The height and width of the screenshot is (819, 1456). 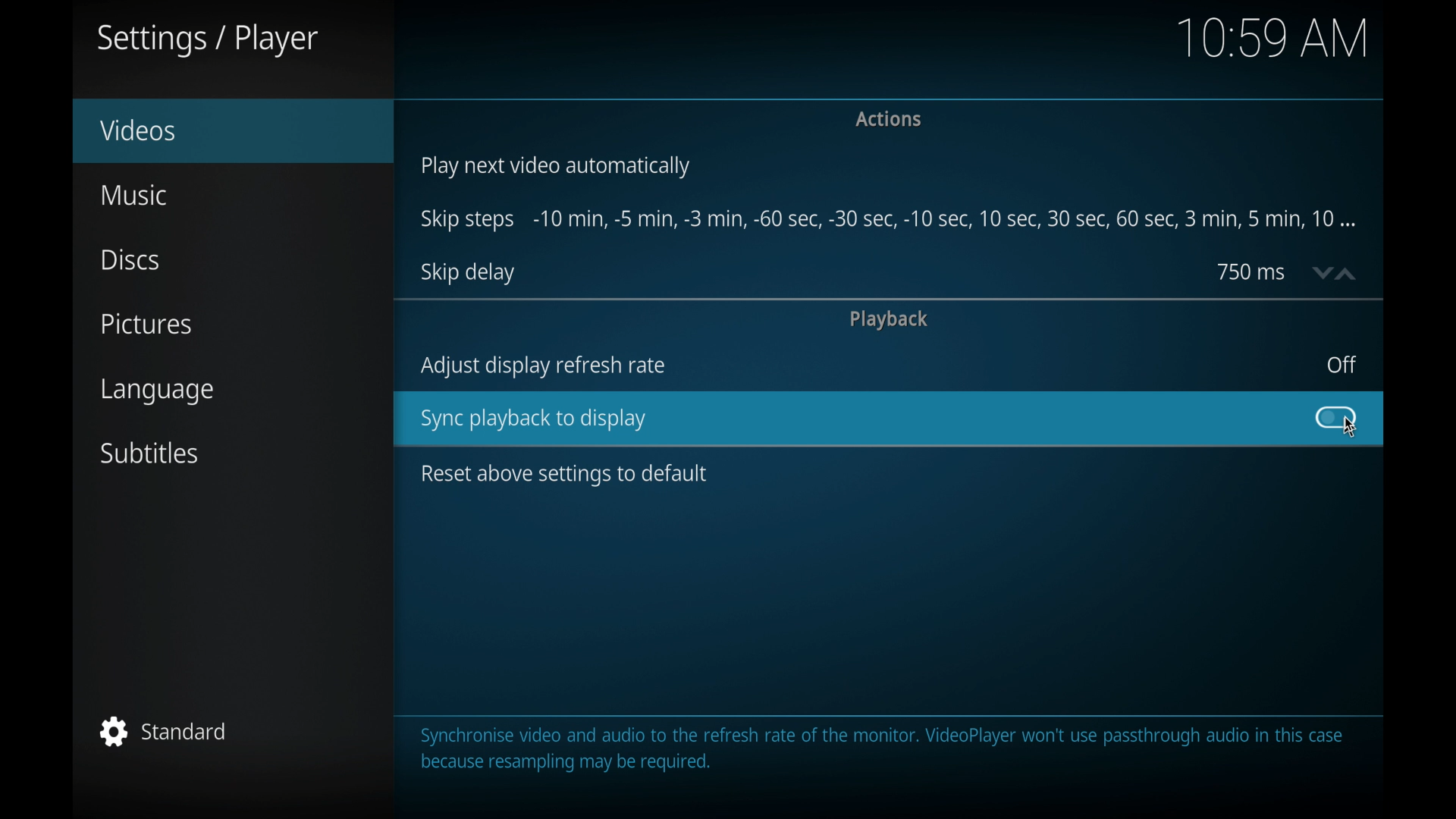 What do you see at coordinates (150, 454) in the screenshot?
I see `subtitles` at bounding box center [150, 454].